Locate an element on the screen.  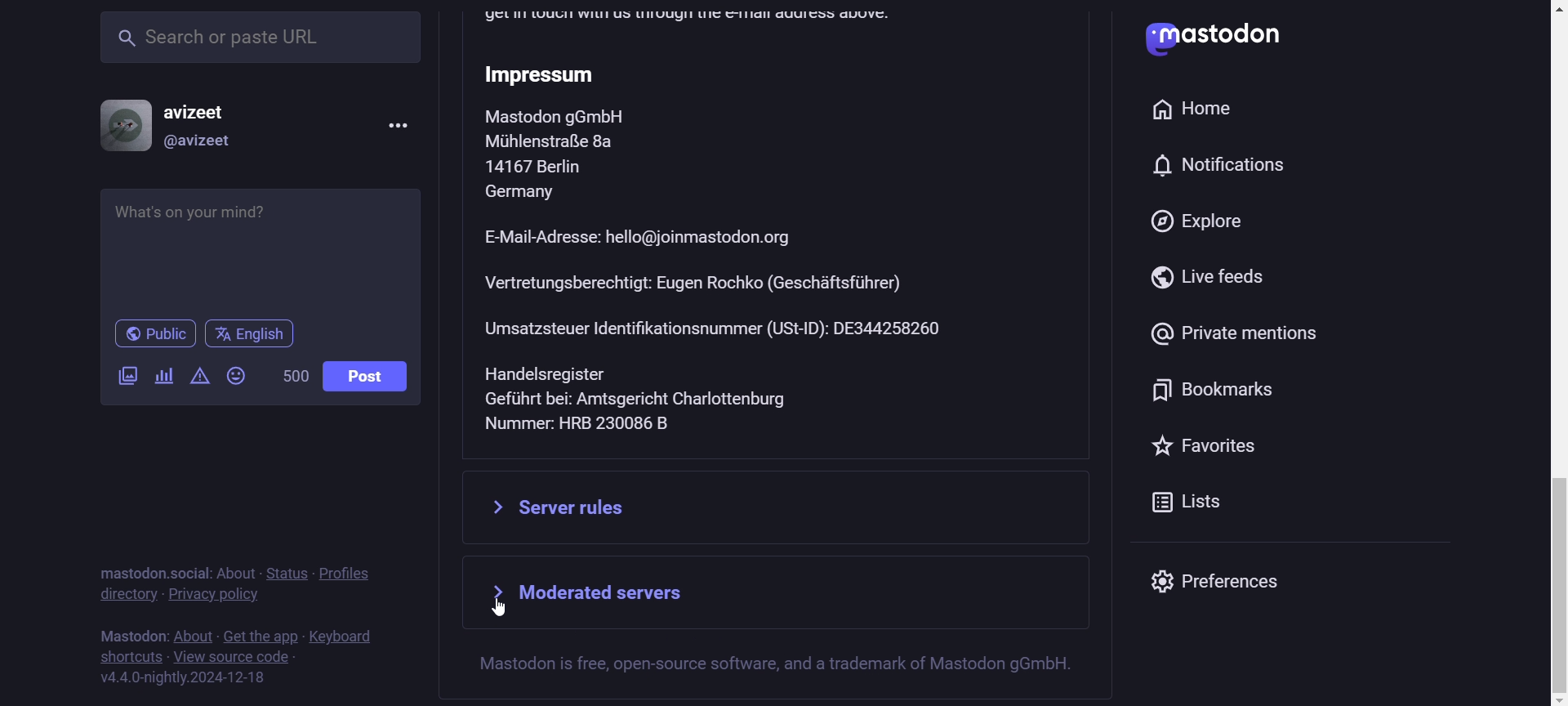
preferences is located at coordinates (1237, 584).